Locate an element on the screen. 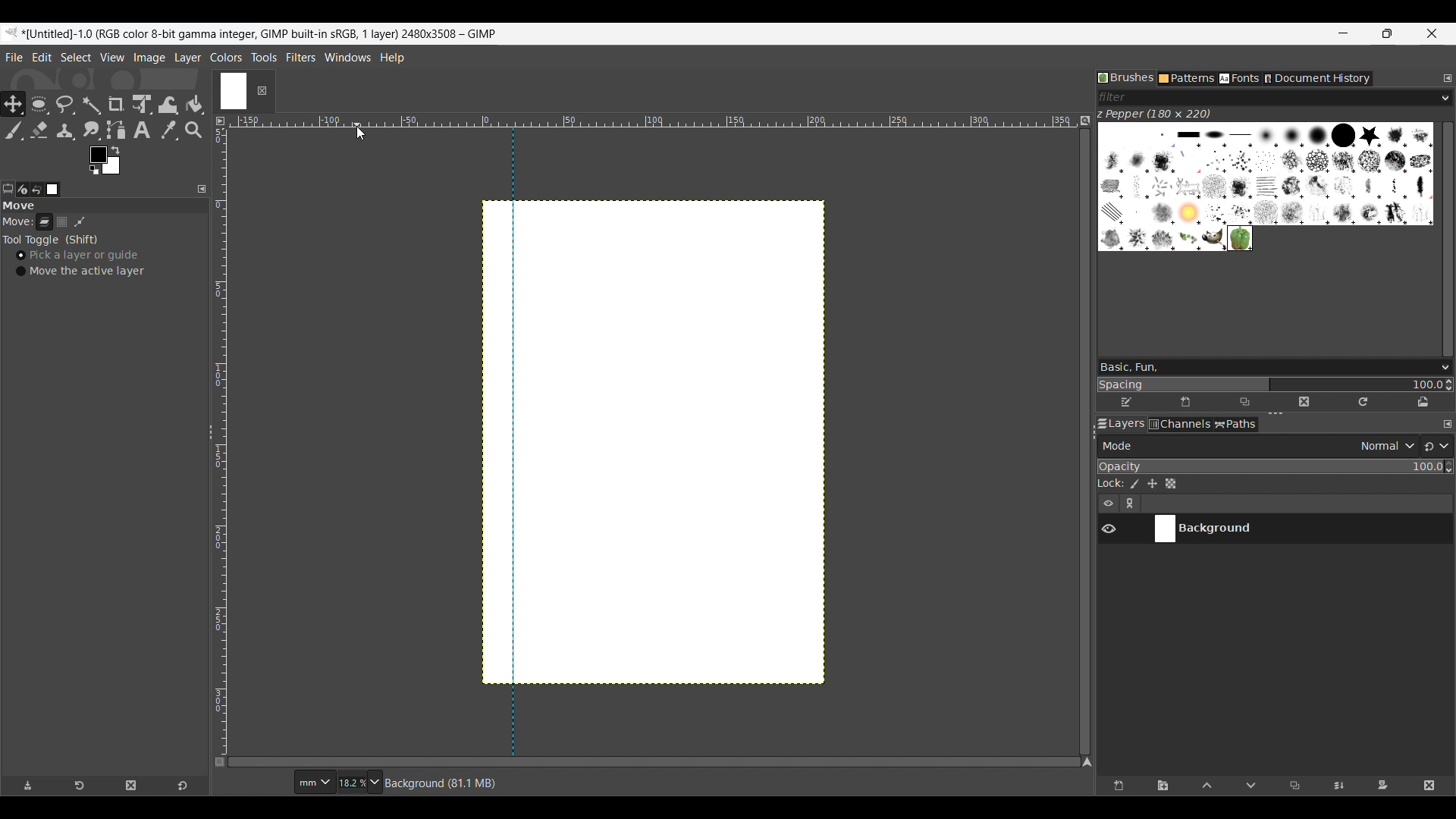  Layer is located at coordinates (45, 224).